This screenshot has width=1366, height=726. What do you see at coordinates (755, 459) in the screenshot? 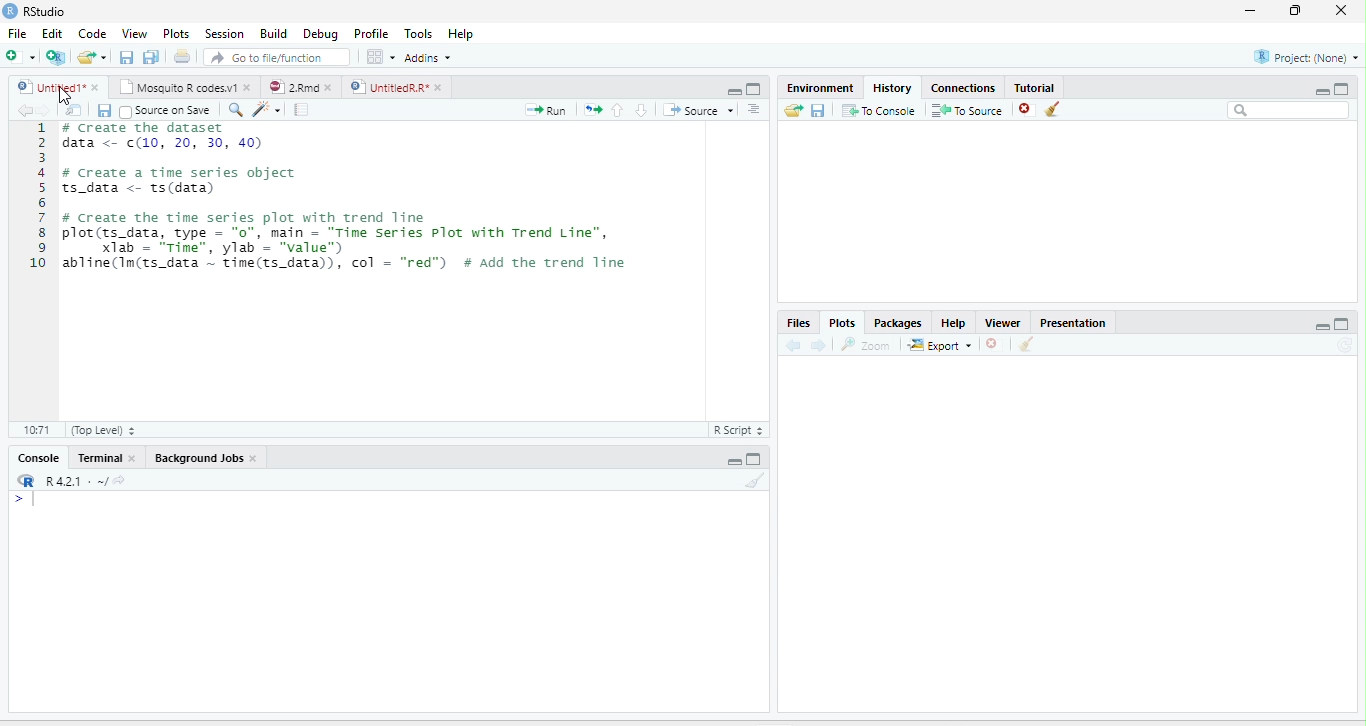
I see `Maximize` at bounding box center [755, 459].